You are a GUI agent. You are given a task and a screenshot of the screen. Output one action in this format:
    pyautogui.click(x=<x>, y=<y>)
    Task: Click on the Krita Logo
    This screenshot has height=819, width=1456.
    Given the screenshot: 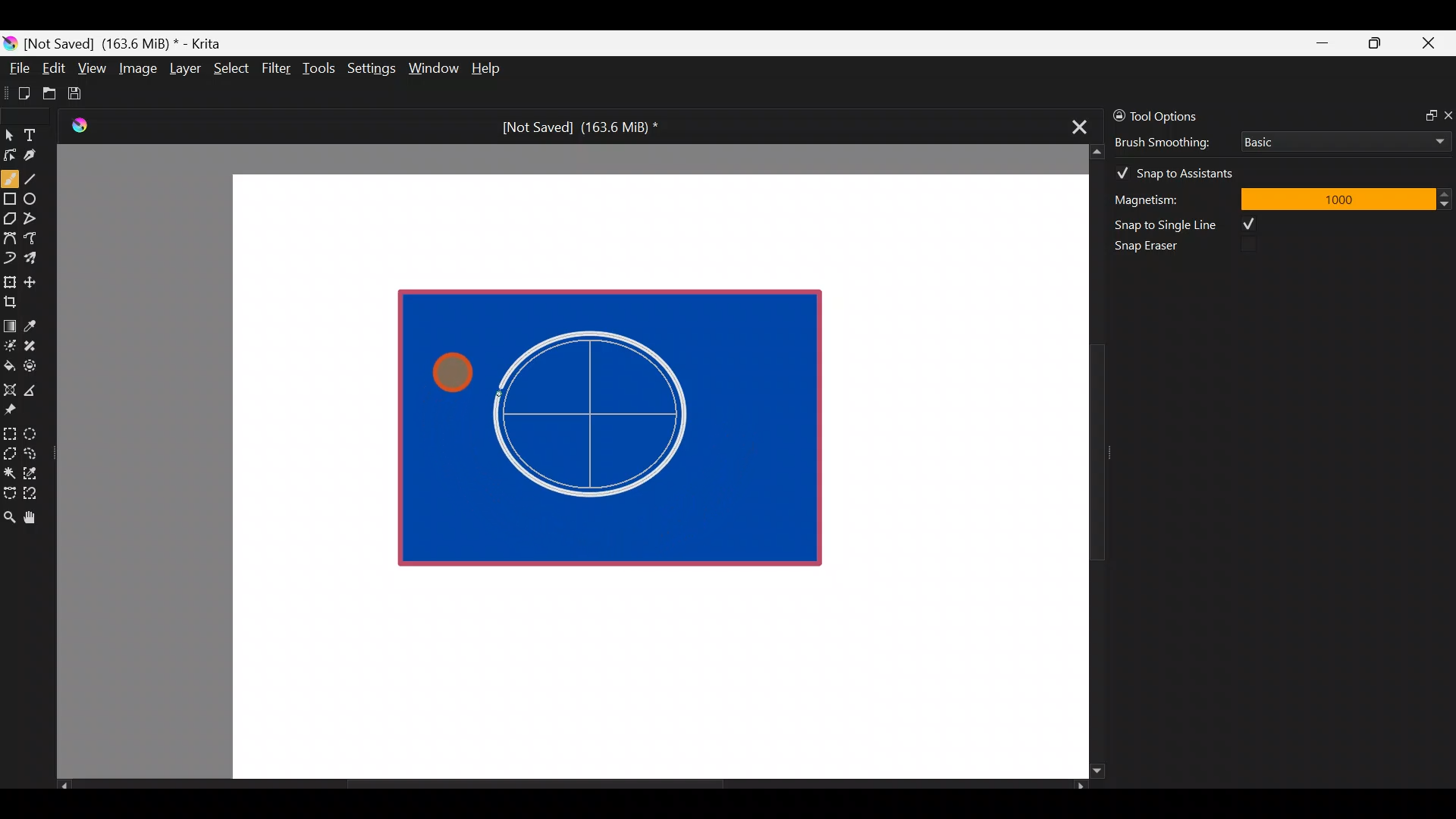 What is the action you would take?
    pyautogui.click(x=77, y=125)
    